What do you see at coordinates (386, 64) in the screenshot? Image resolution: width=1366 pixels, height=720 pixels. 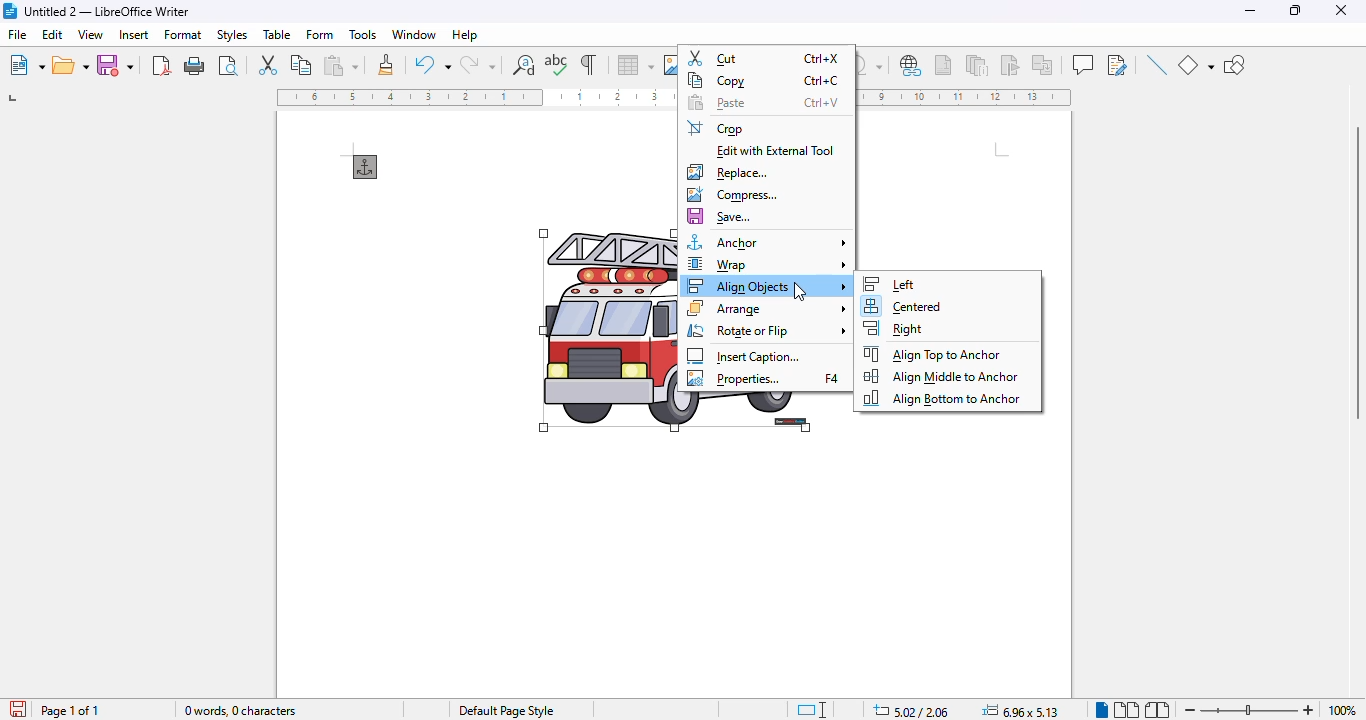 I see `clone formatting` at bounding box center [386, 64].